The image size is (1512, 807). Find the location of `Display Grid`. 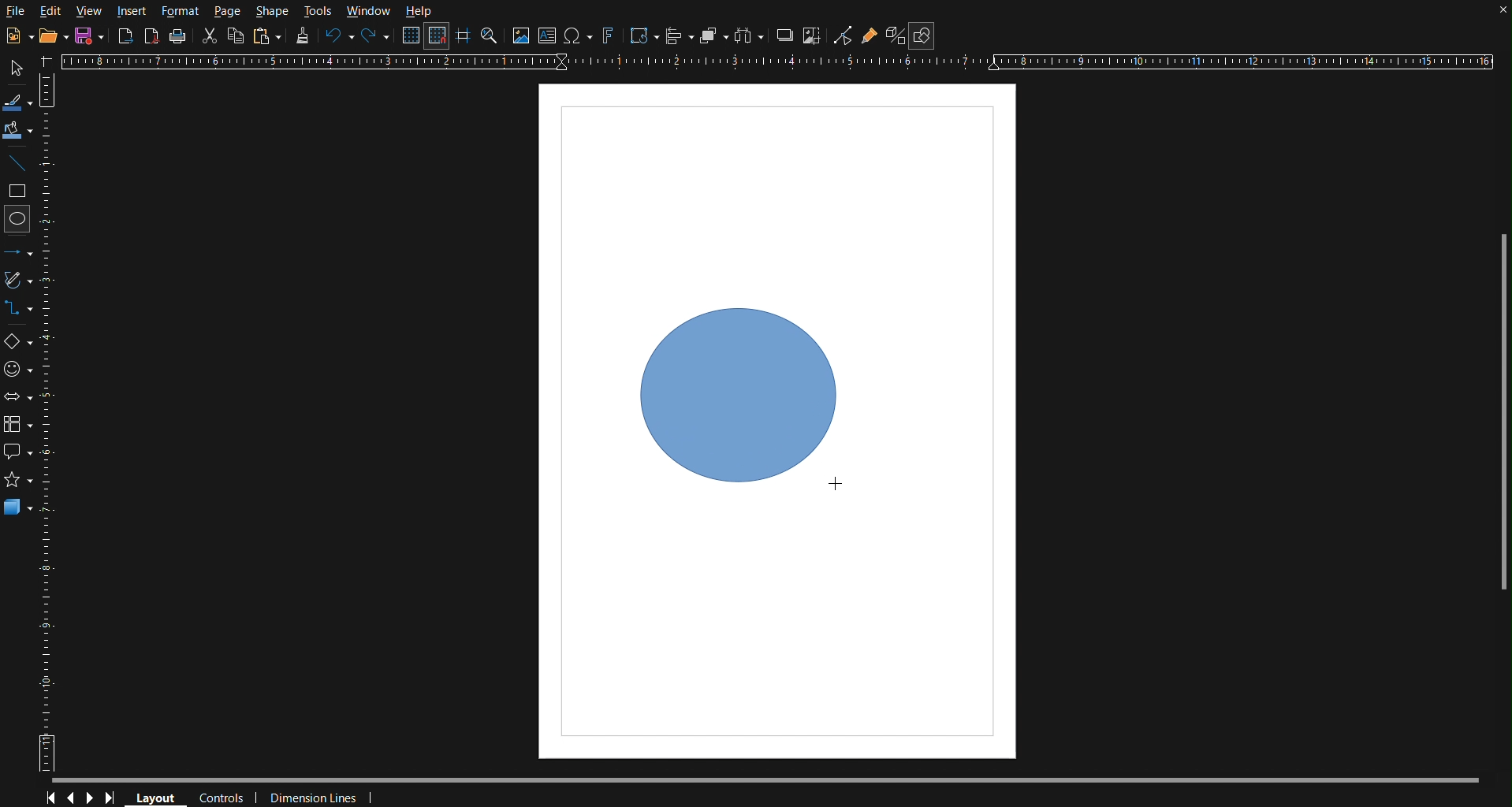

Display Grid is located at coordinates (410, 36).